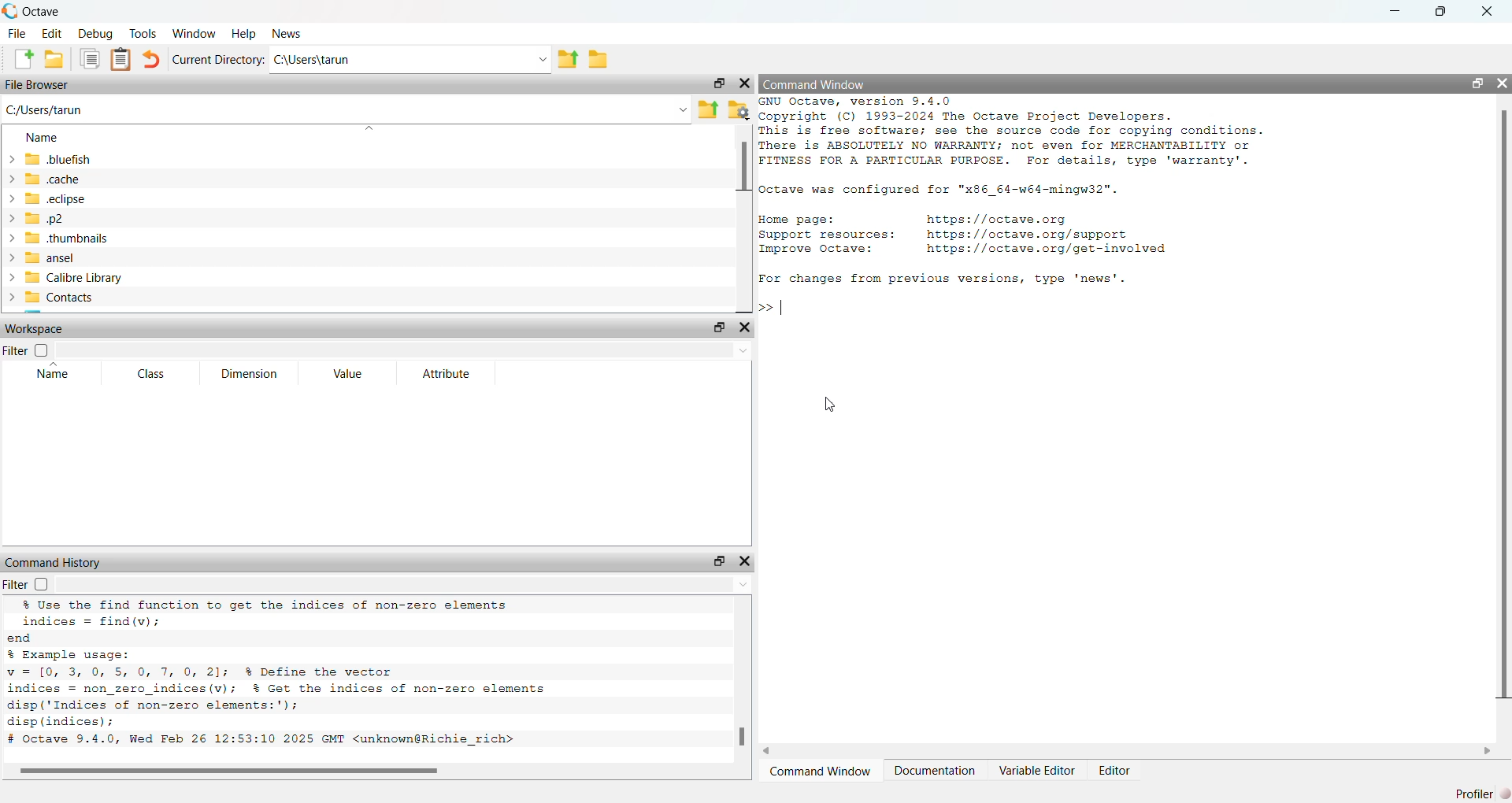 The width and height of the screenshot is (1512, 803). I want to click on folder settings, so click(740, 109).